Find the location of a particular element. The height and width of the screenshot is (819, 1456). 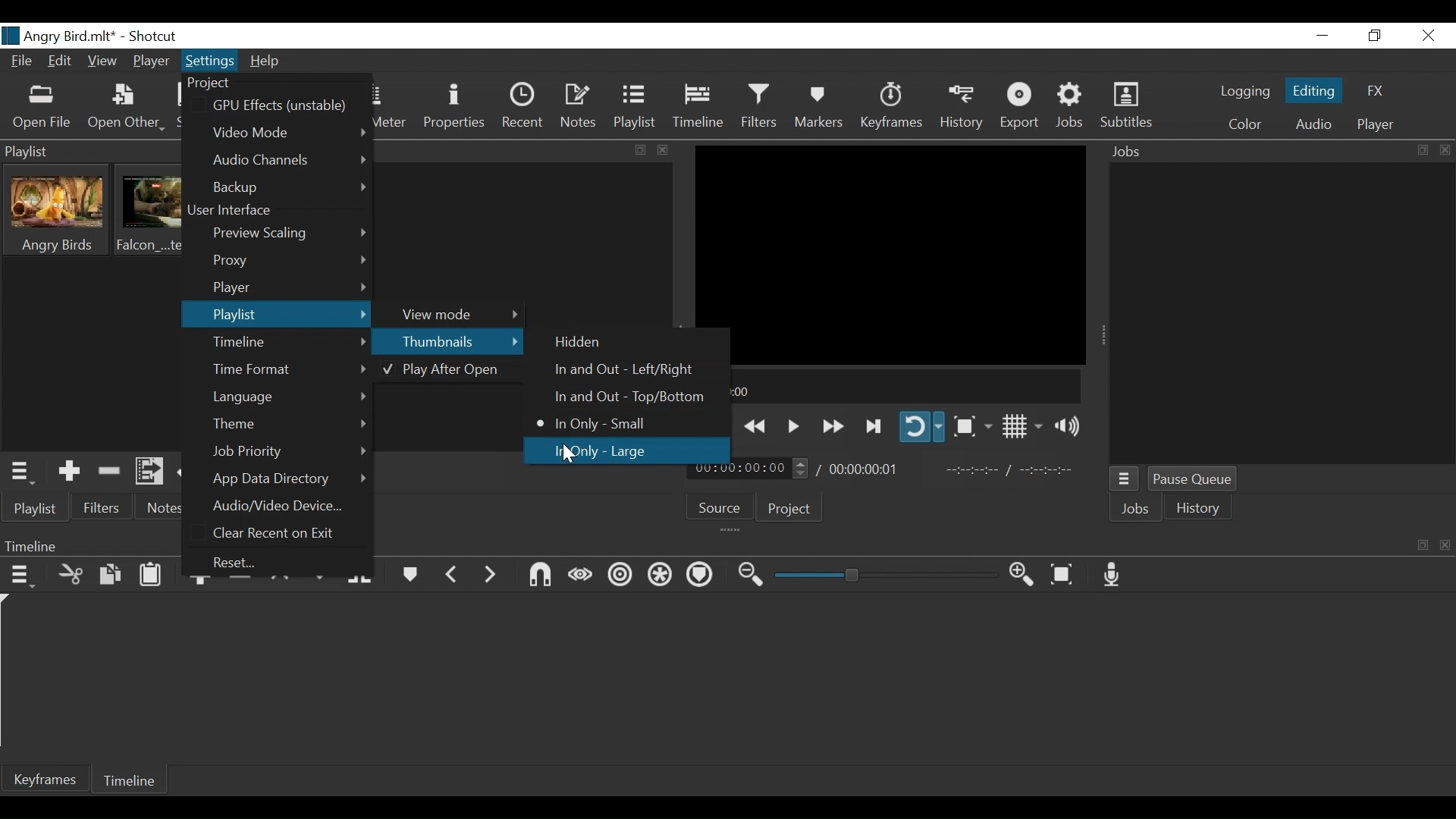

Play After Open is located at coordinates (443, 372).